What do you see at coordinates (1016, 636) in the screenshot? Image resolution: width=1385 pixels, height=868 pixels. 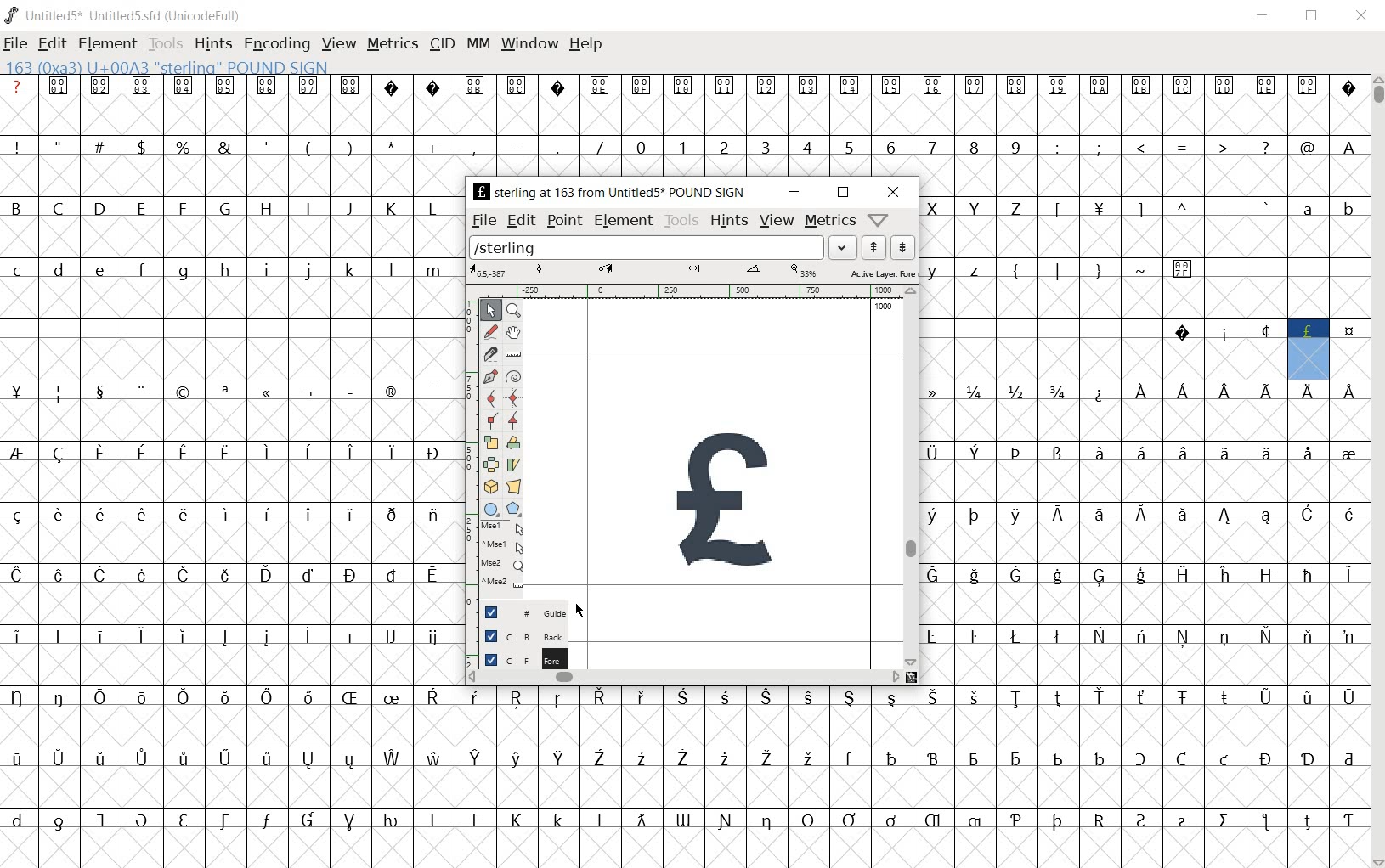 I see `Symbol` at bounding box center [1016, 636].